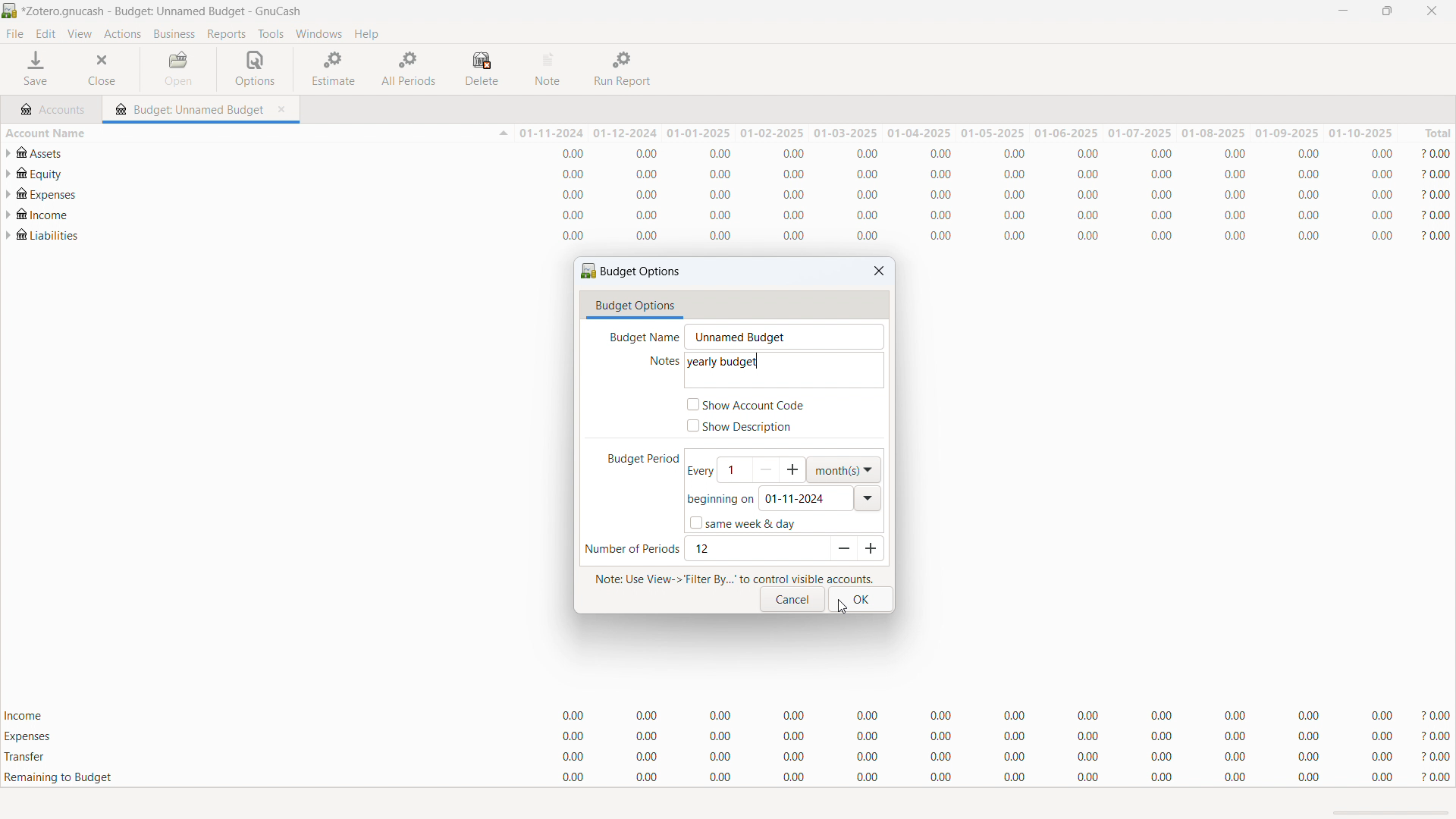 This screenshot has width=1456, height=819. I want to click on Budget name, so click(640, 337).